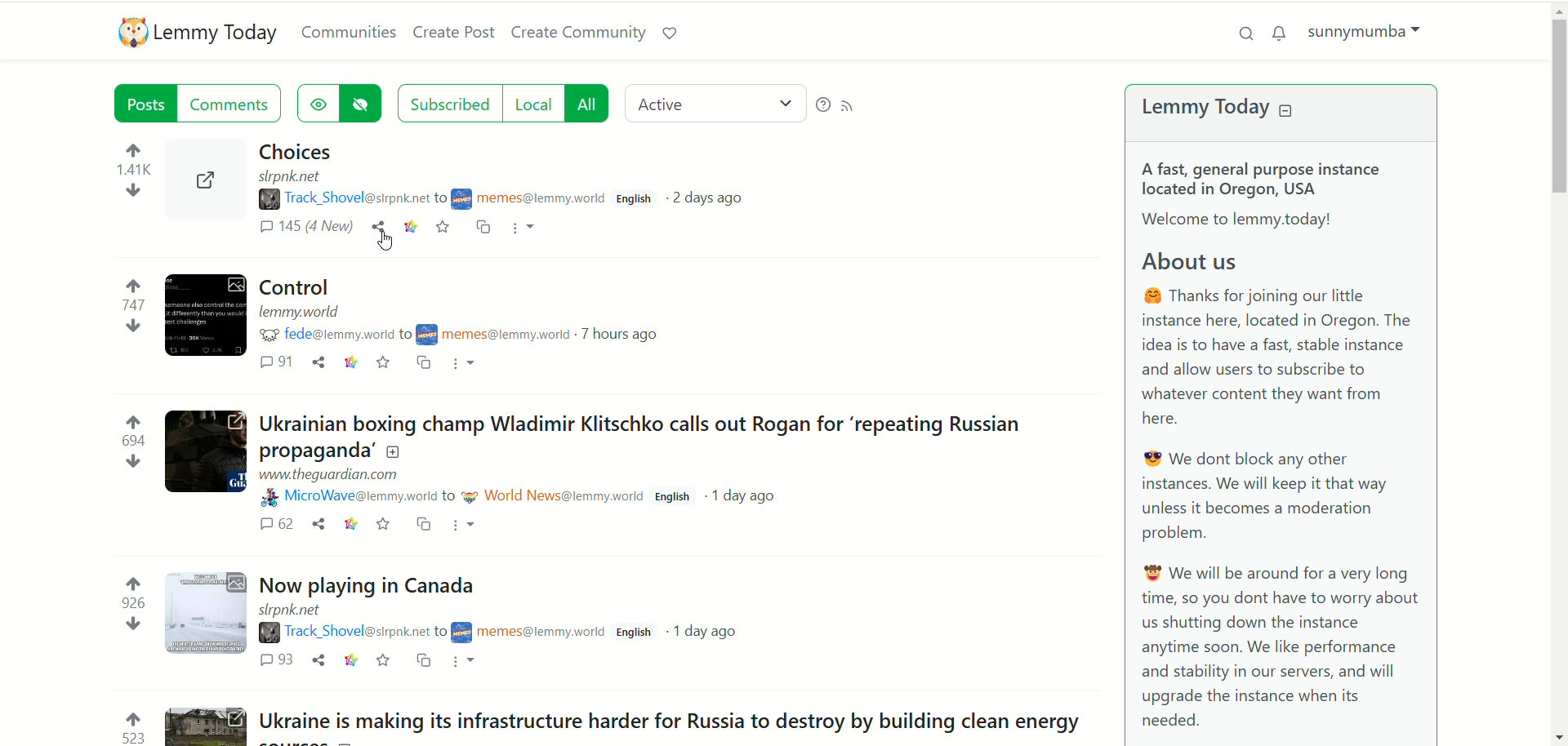 This screenshot has width=1568, height=746. Describe the element at coordinates (337, 199) in the screenshot. I see `username` at that location.